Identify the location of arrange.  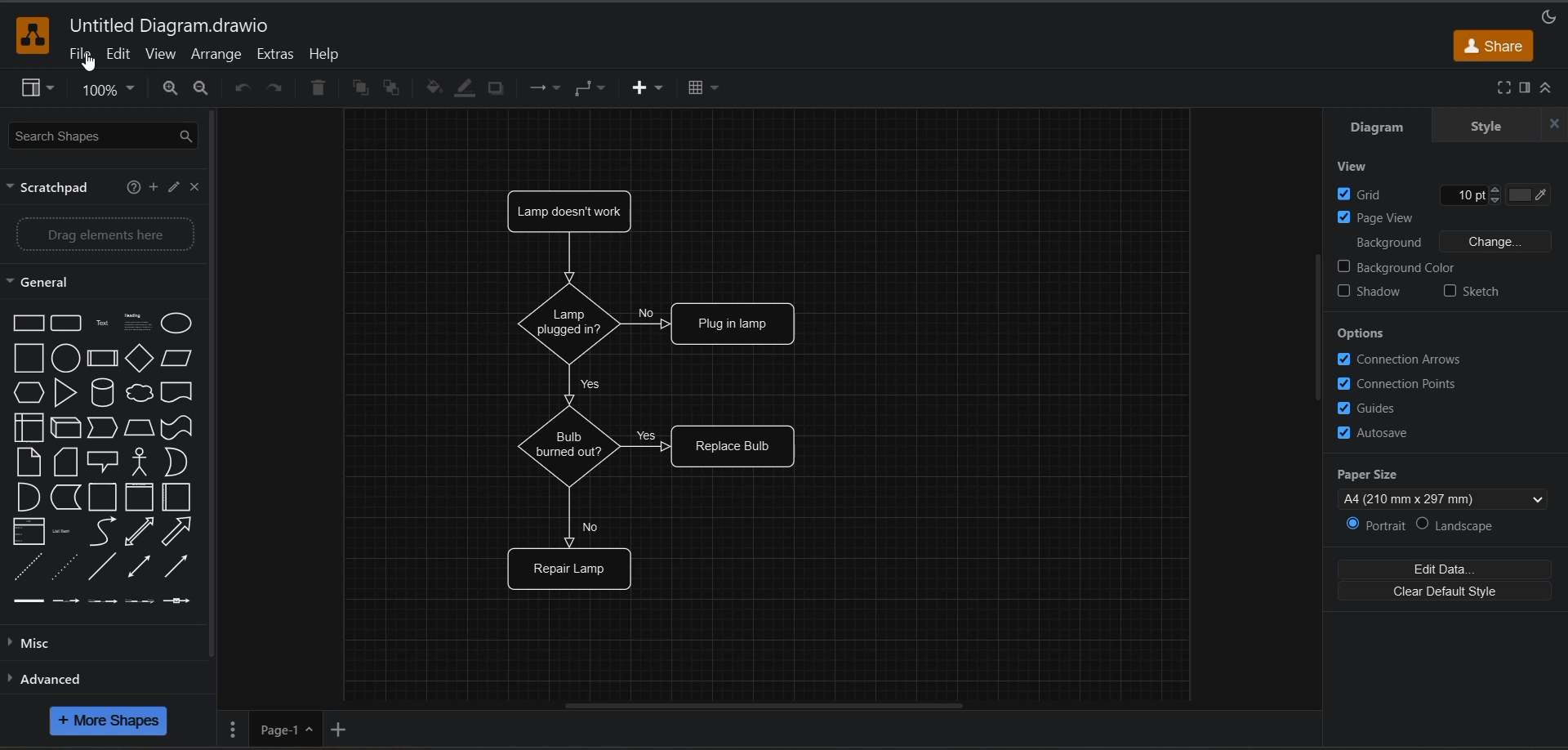
(220, 56).